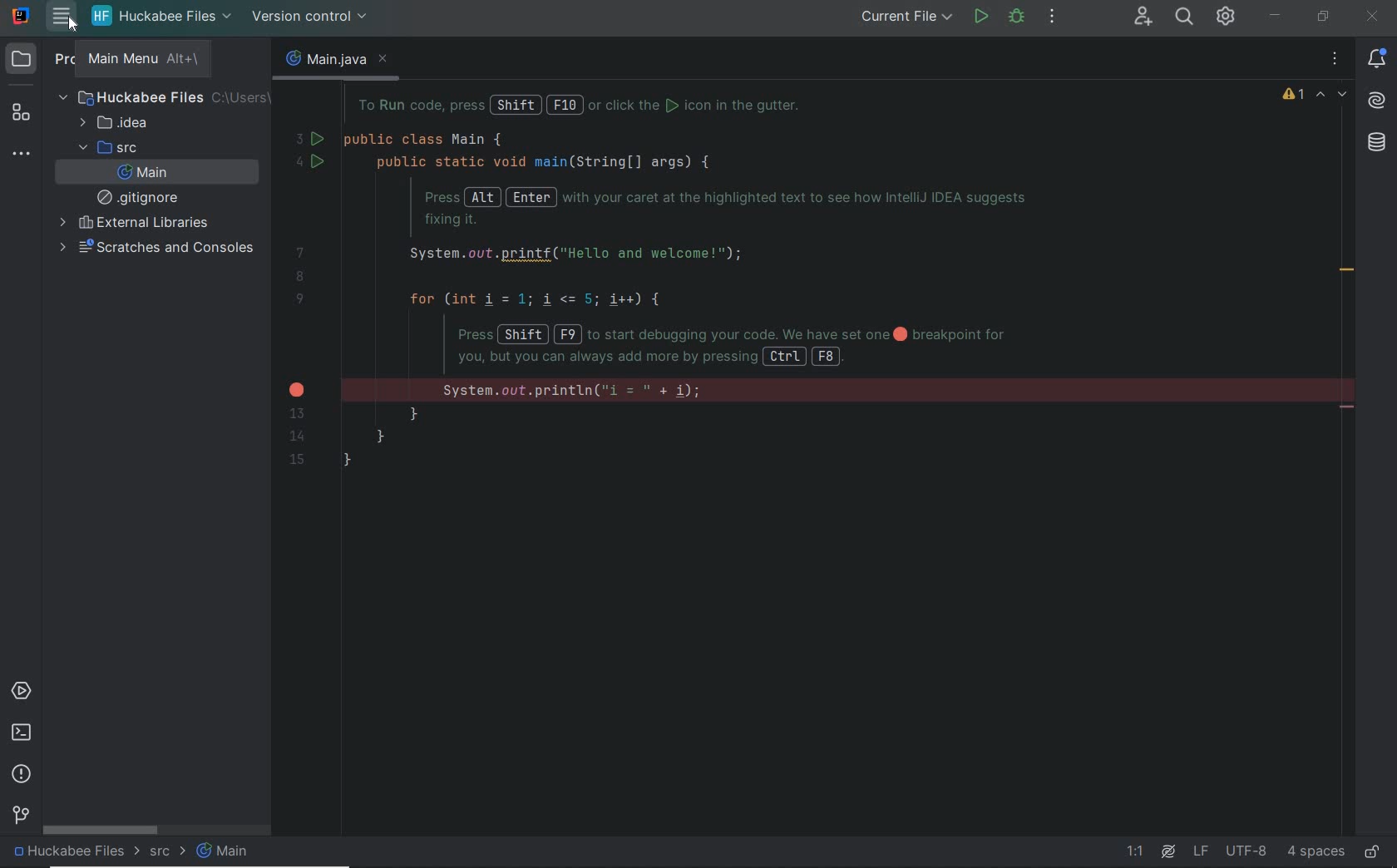 The width and height of the screenshot is (1397, 868). What do you see at coordinates (1374, 17) in the screenshot?
I see `CLOSE` at bounding box center [1374, 17].